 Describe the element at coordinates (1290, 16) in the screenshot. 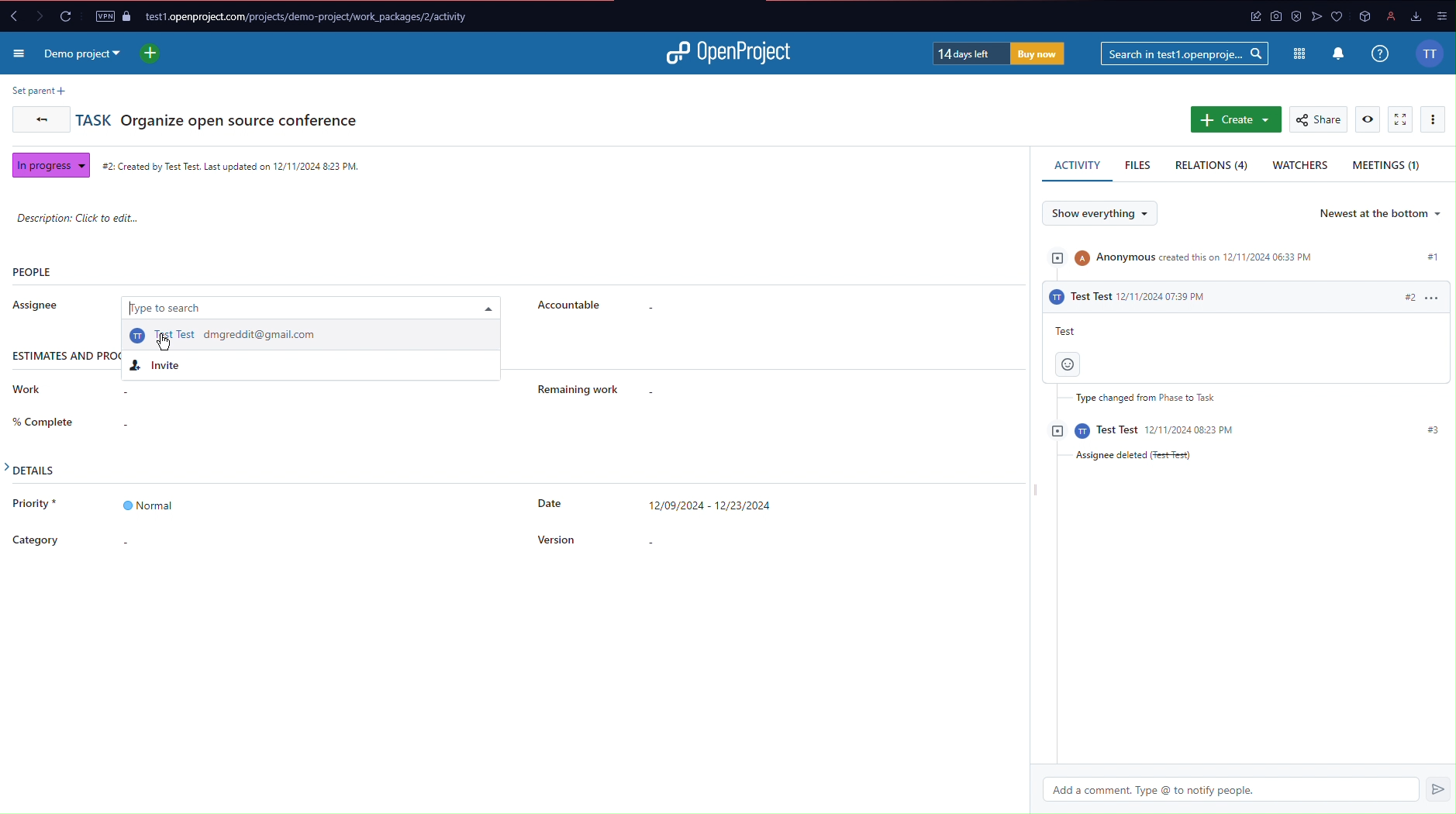

I see `antivirus` at that location.